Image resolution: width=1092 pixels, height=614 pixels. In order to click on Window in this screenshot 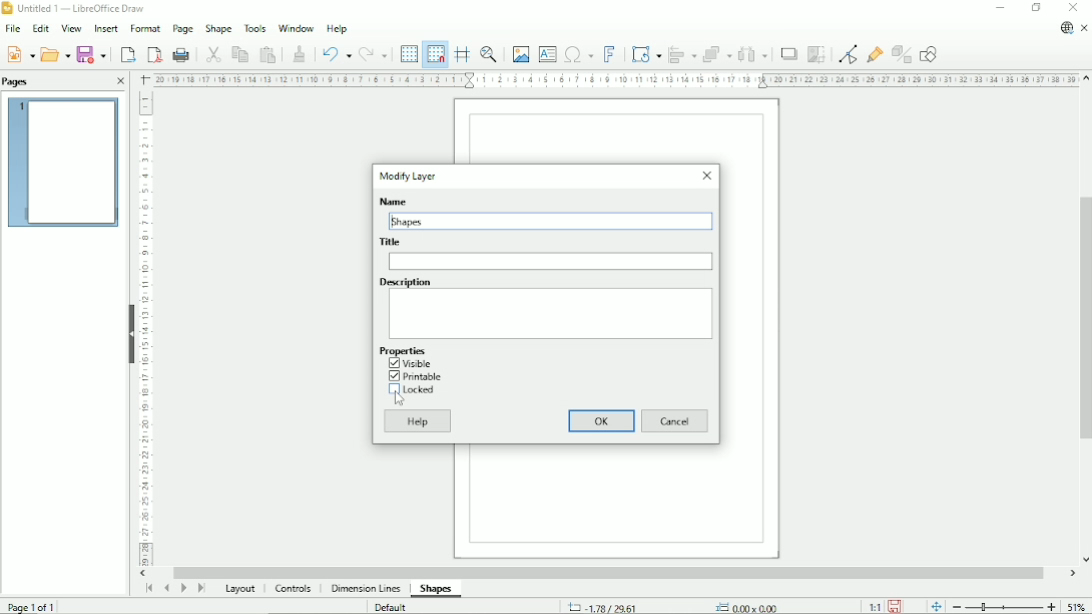, I will do `click(296, 27)`.